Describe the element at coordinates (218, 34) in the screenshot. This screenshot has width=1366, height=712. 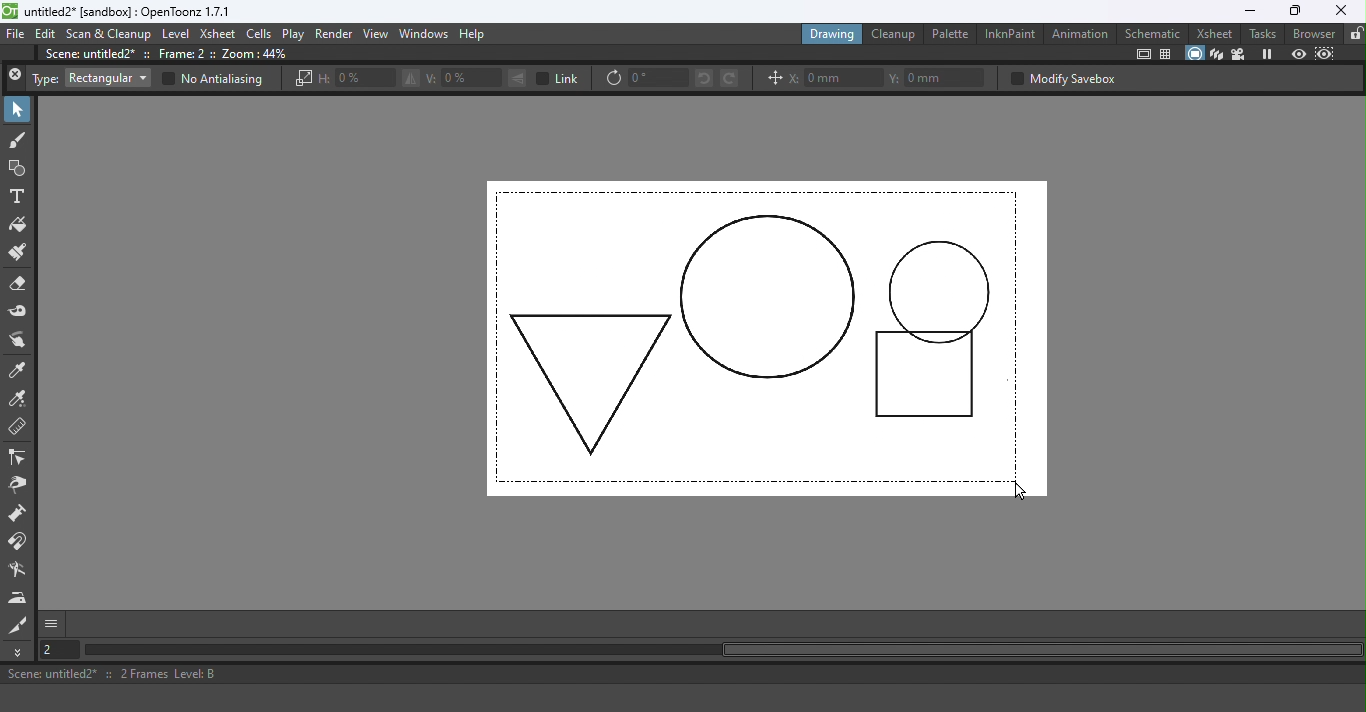
I see `Xsheet` at that location.